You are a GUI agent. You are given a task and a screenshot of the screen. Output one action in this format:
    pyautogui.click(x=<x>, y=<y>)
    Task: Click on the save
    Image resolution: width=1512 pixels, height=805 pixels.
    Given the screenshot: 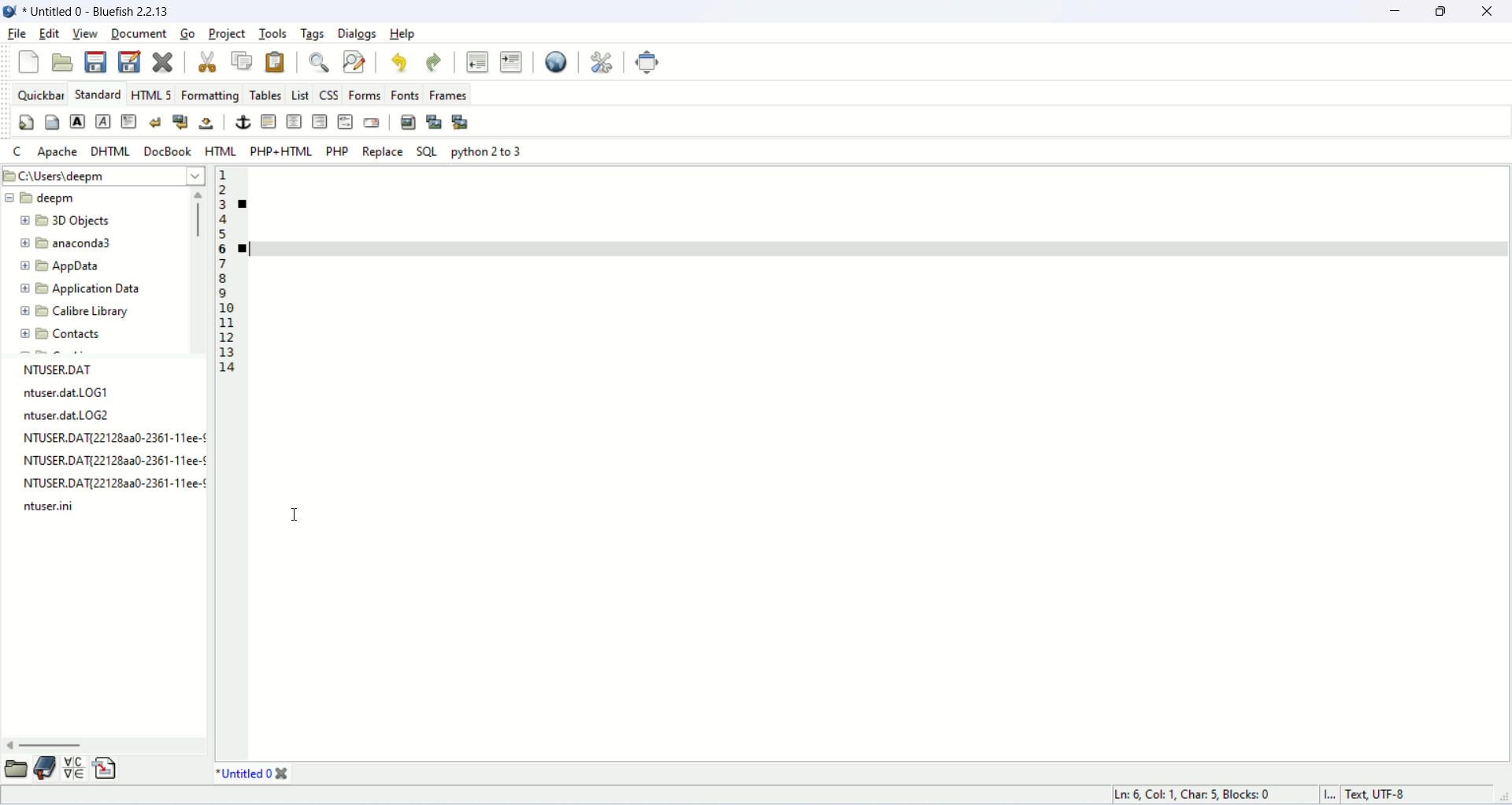 What is the action you would take?
    pyautogui.click(x=98, y=64)
    